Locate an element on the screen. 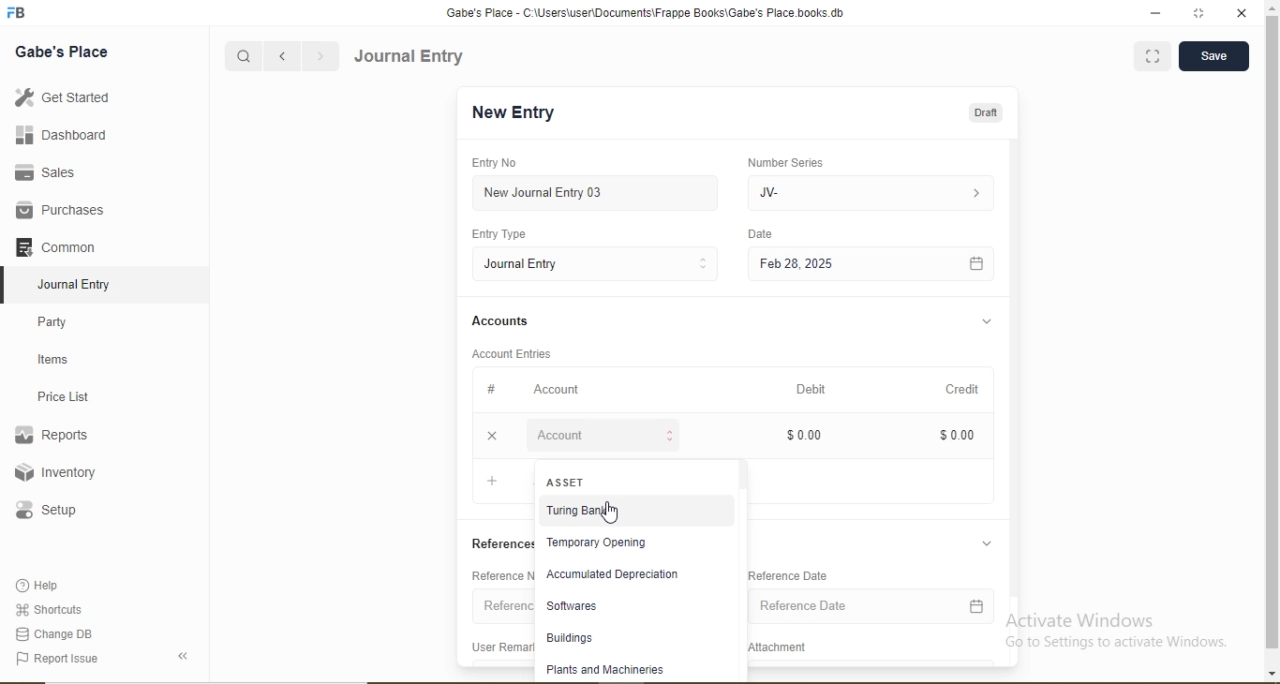  Buildings is located at coordinates (570, 637).